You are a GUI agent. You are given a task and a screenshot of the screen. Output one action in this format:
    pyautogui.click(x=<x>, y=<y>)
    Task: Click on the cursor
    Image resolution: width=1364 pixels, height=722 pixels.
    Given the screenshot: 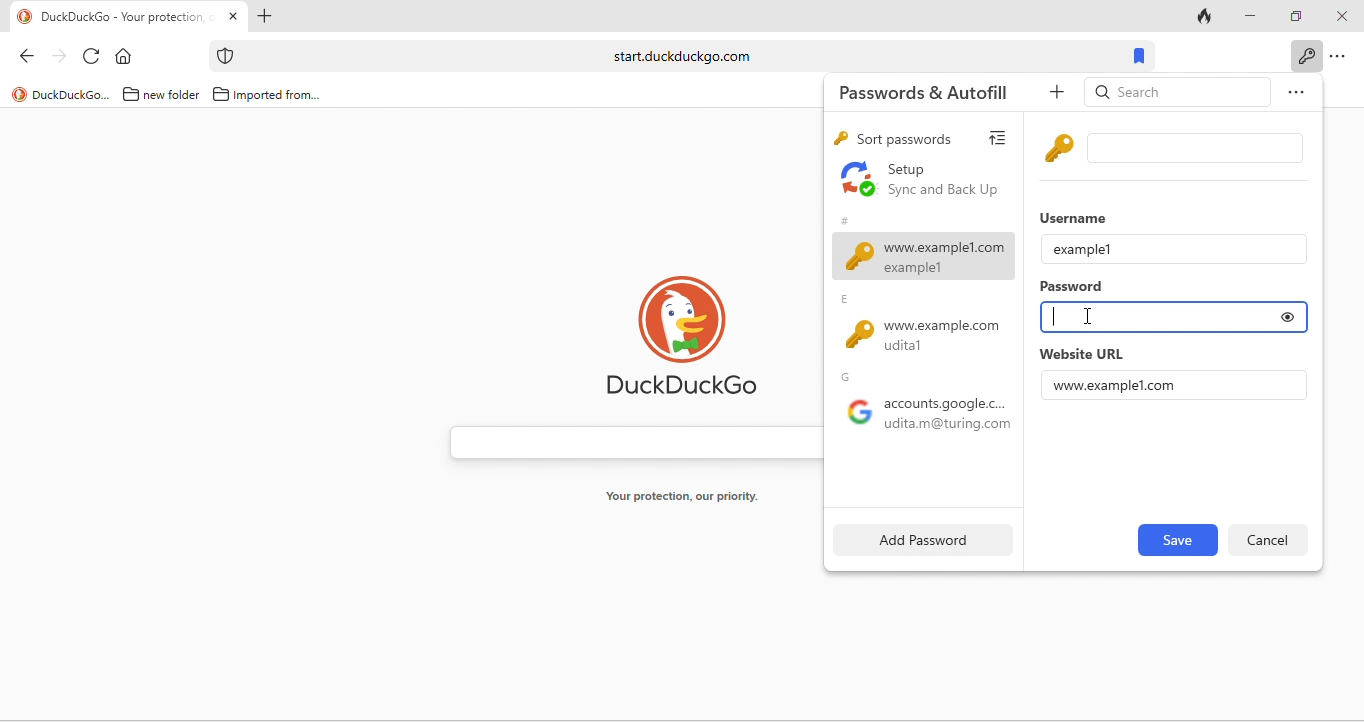 What is the action you would take?
    pyautogui.click(x=1087, y=317)
    